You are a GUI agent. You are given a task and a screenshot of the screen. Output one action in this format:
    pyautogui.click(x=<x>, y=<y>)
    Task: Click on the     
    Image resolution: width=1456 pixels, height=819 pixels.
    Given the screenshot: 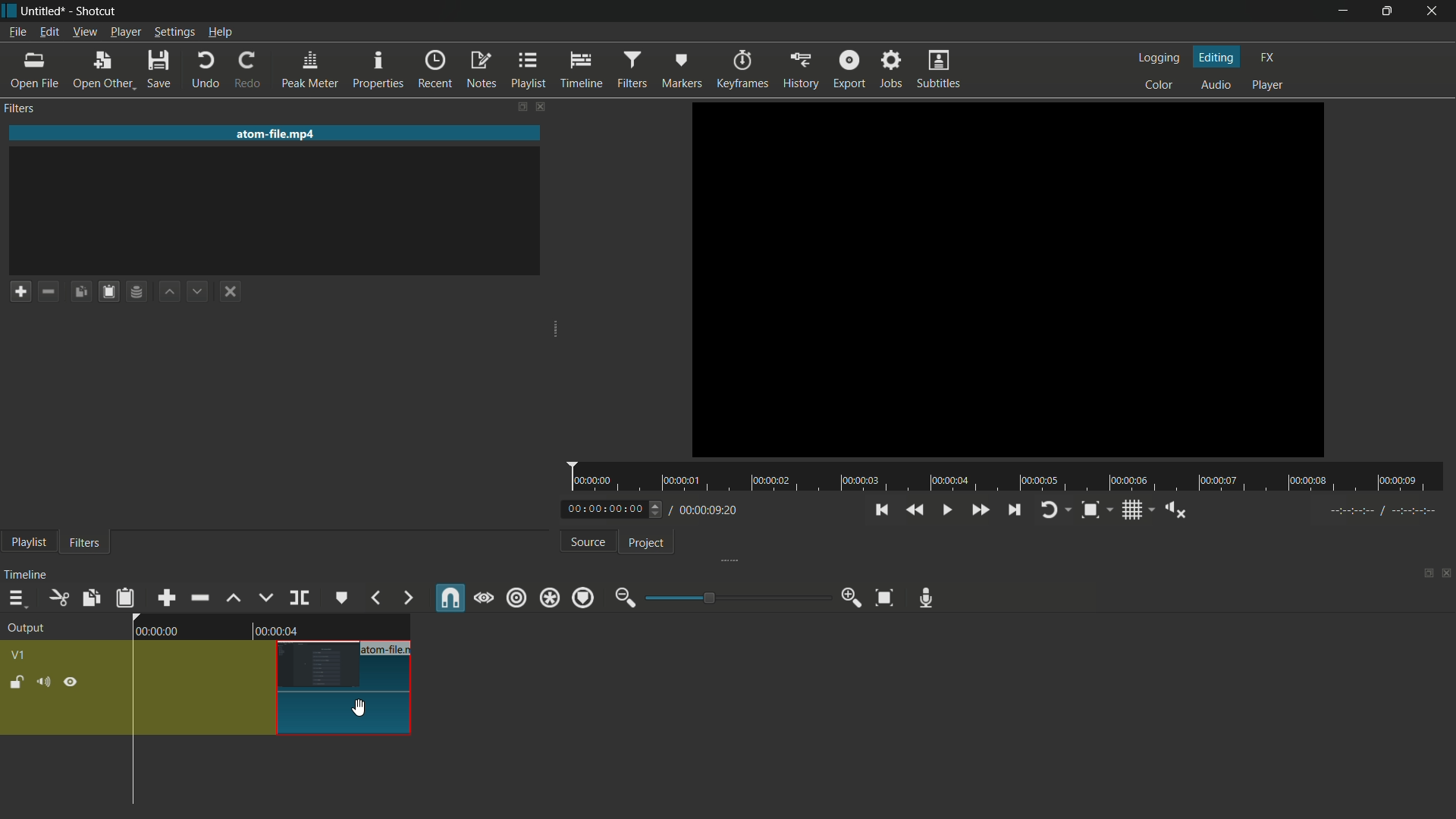 What is the action you would take?
    pyautogui.click(x=167, y=598)
    